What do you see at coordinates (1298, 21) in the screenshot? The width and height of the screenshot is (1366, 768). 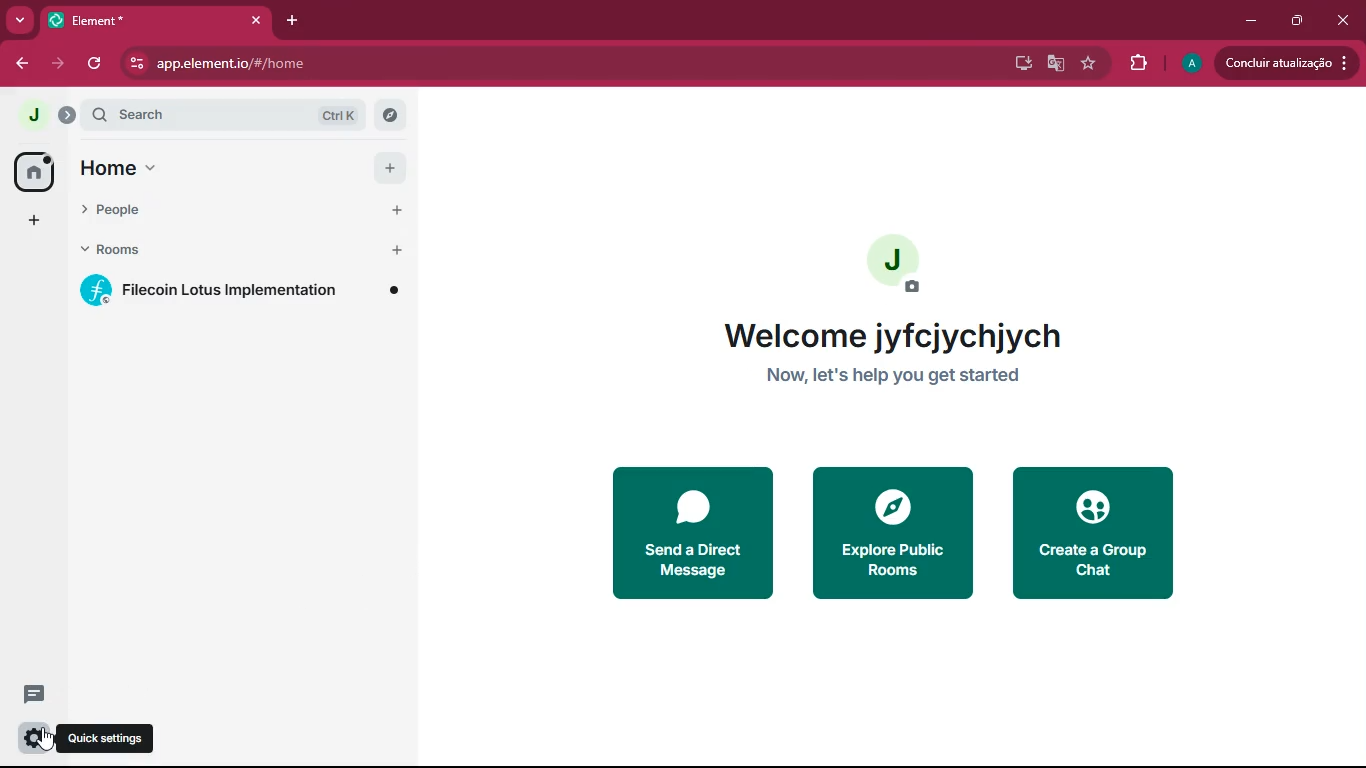 I see `restore down` at bounding box center [1298, 21].